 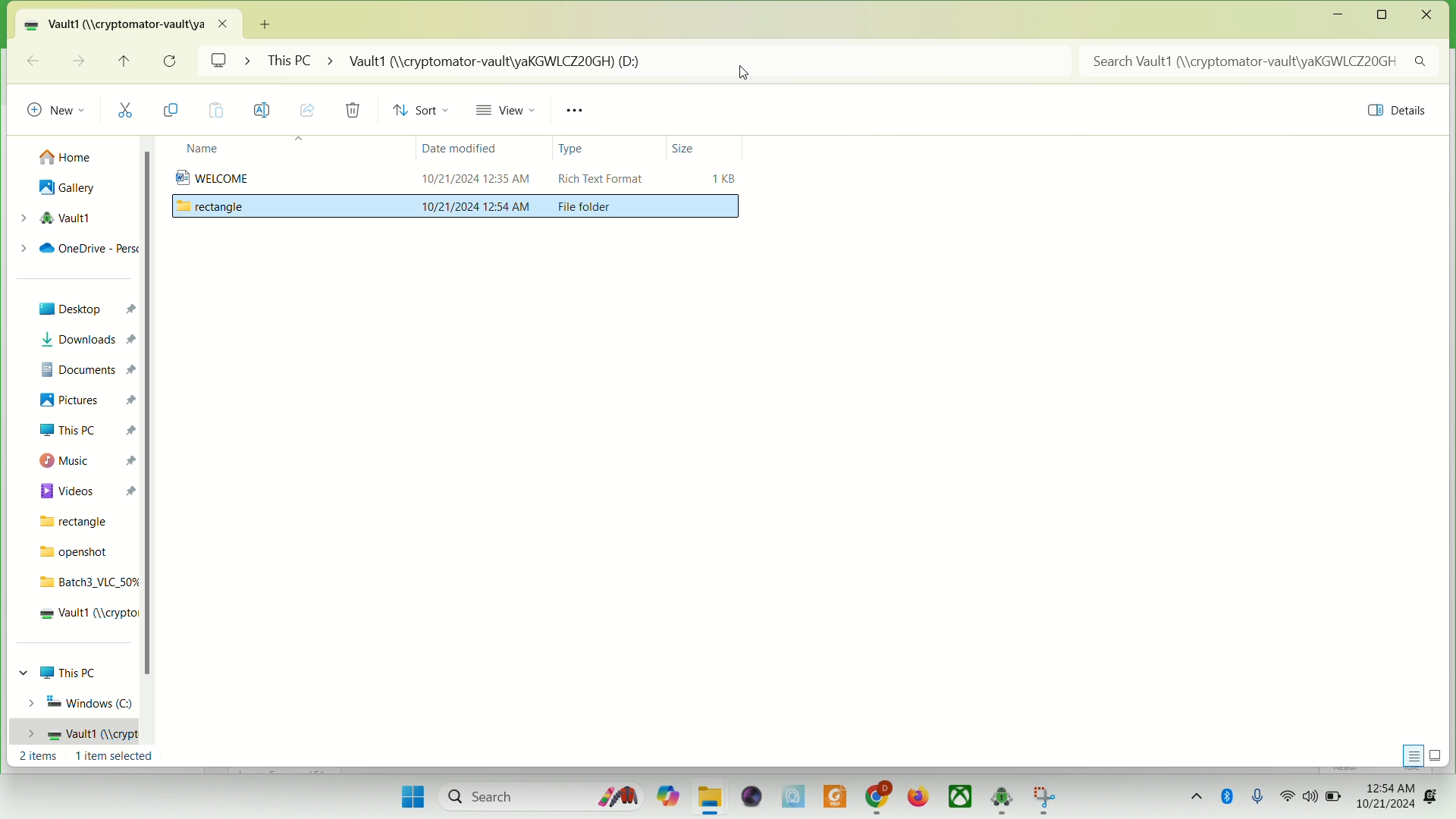 I want to click on This PC > Vault1 (//cryptomator-vault/yaKGWLCZ20GH) (D:), so click(x=668, y=63).